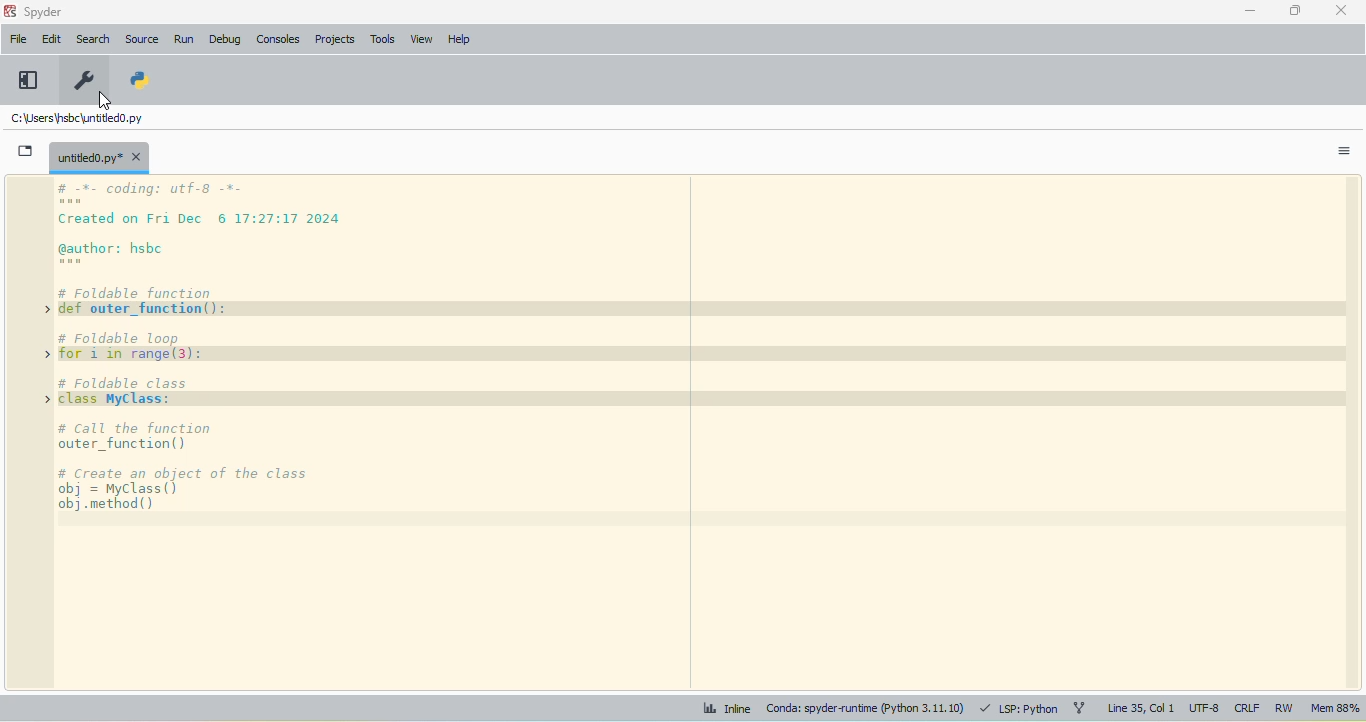 The width and height of the screenshot is (1366, 722). I want to click on PYTHONPATH manager, so click(137, 80).